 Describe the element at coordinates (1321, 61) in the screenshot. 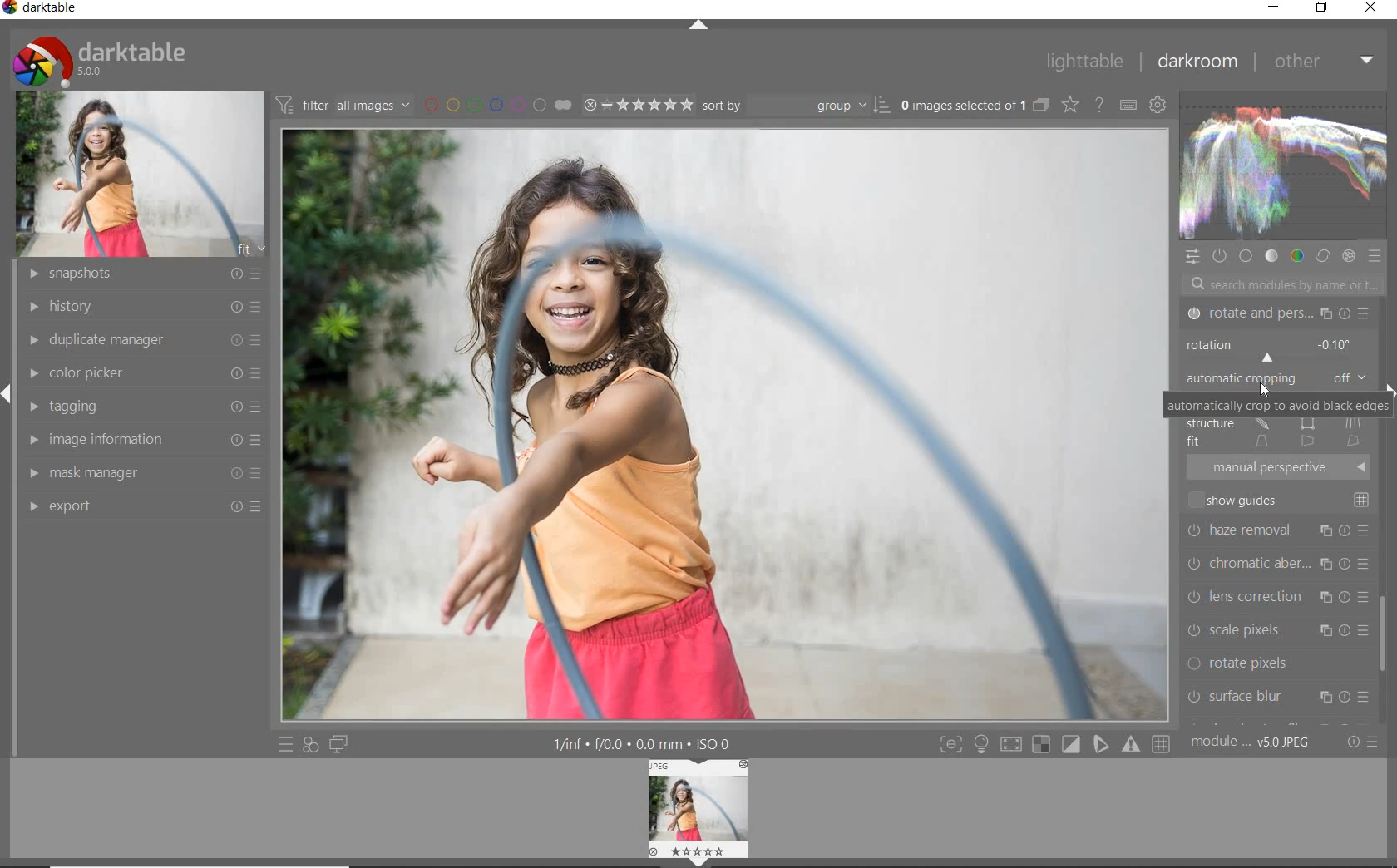

I see `other` at that location.